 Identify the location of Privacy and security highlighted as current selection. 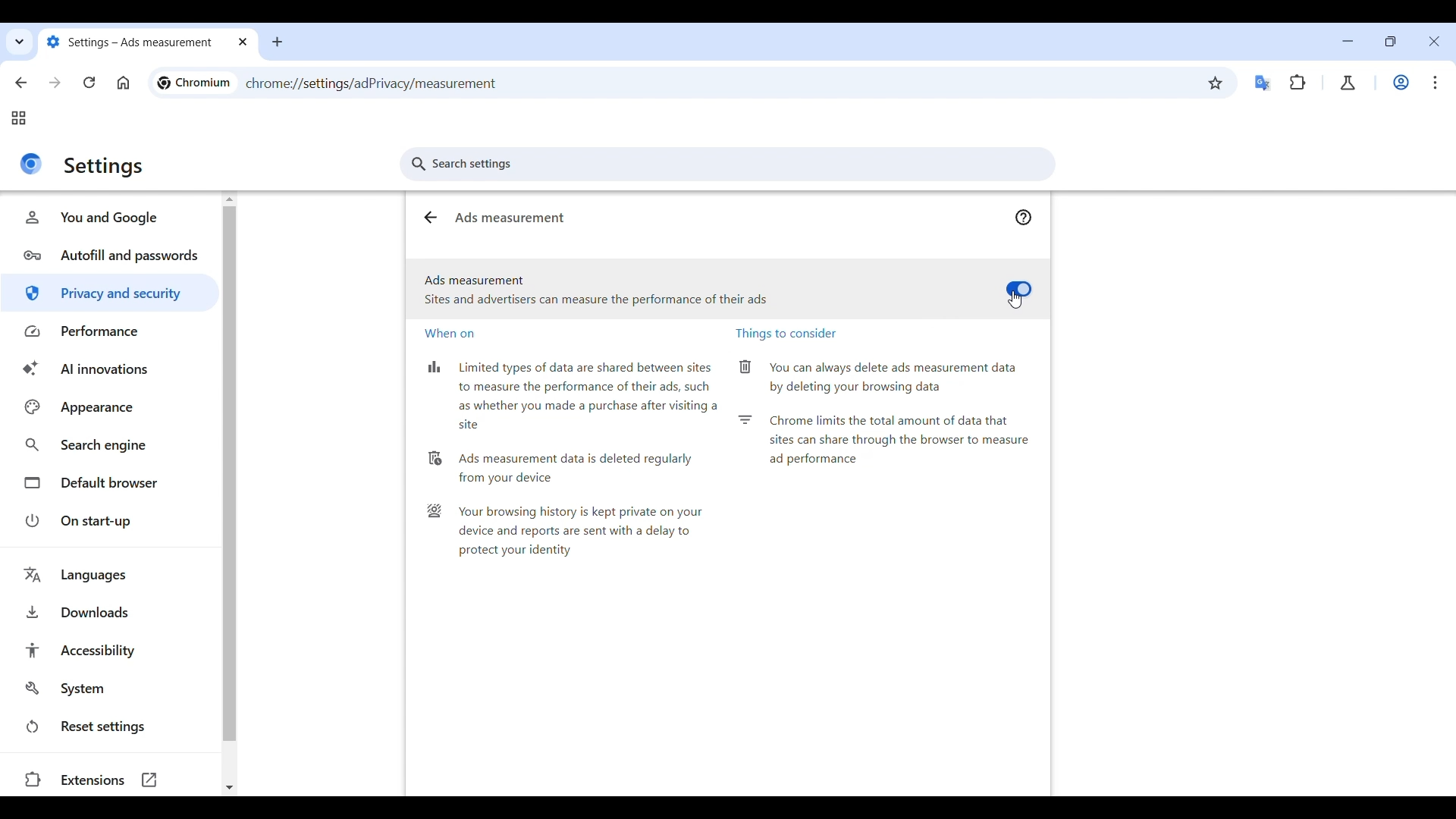
(111, 293).